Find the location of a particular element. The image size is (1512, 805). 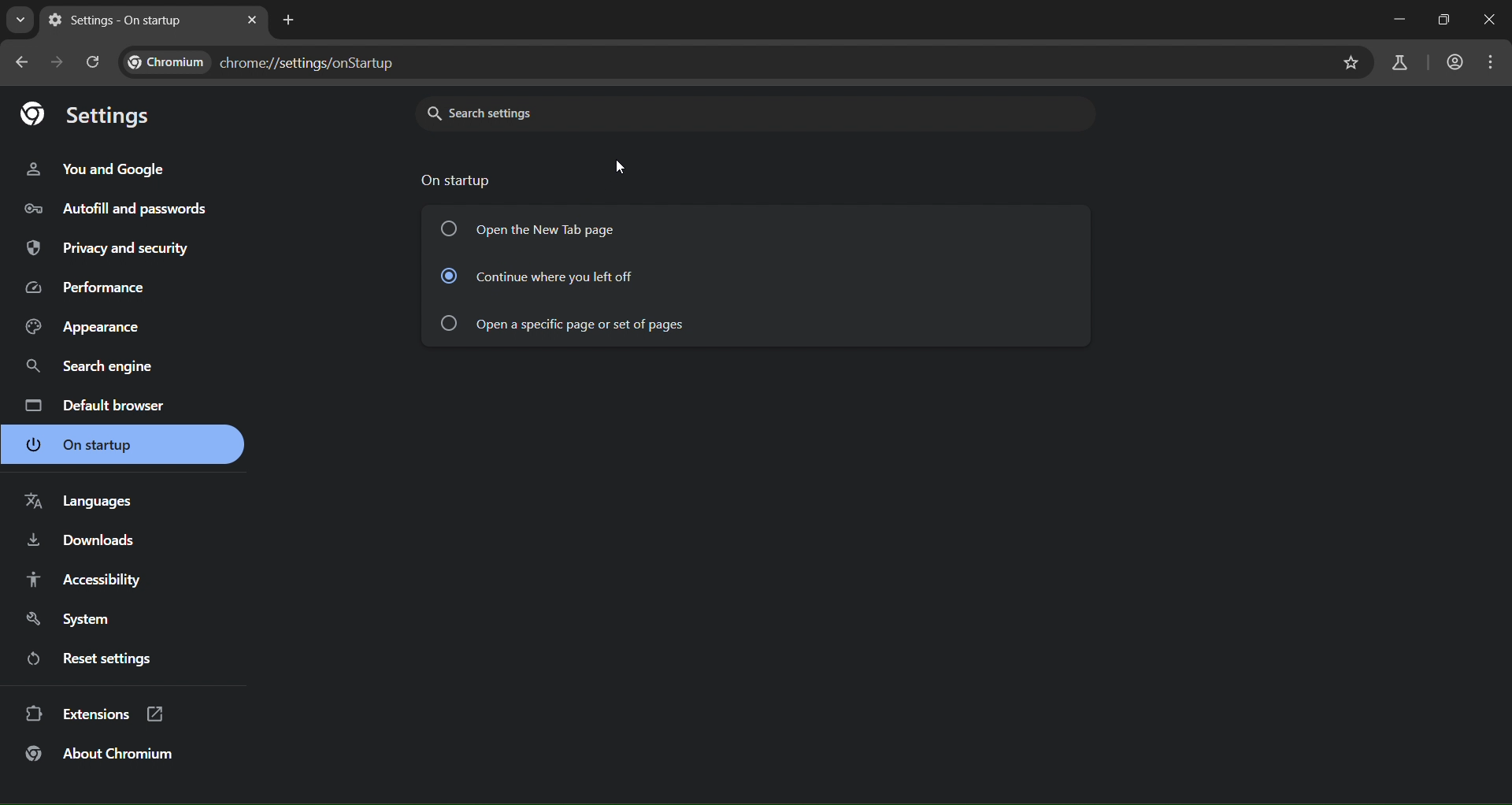

search settings is located at coordinates (577, 113).